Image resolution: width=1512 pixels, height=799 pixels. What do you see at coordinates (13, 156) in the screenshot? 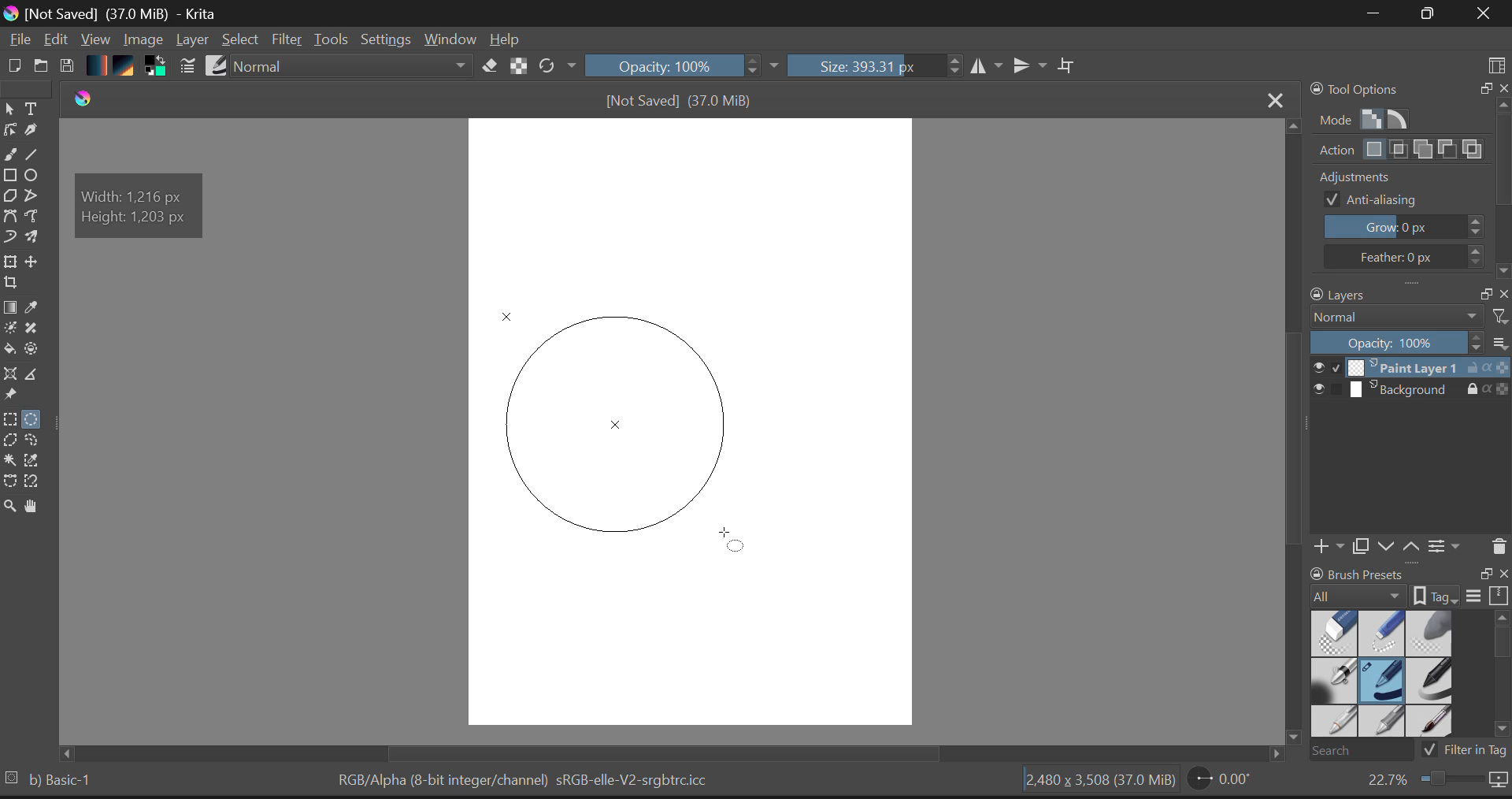
I see `freehand curve` at bounding box center [13, 156].